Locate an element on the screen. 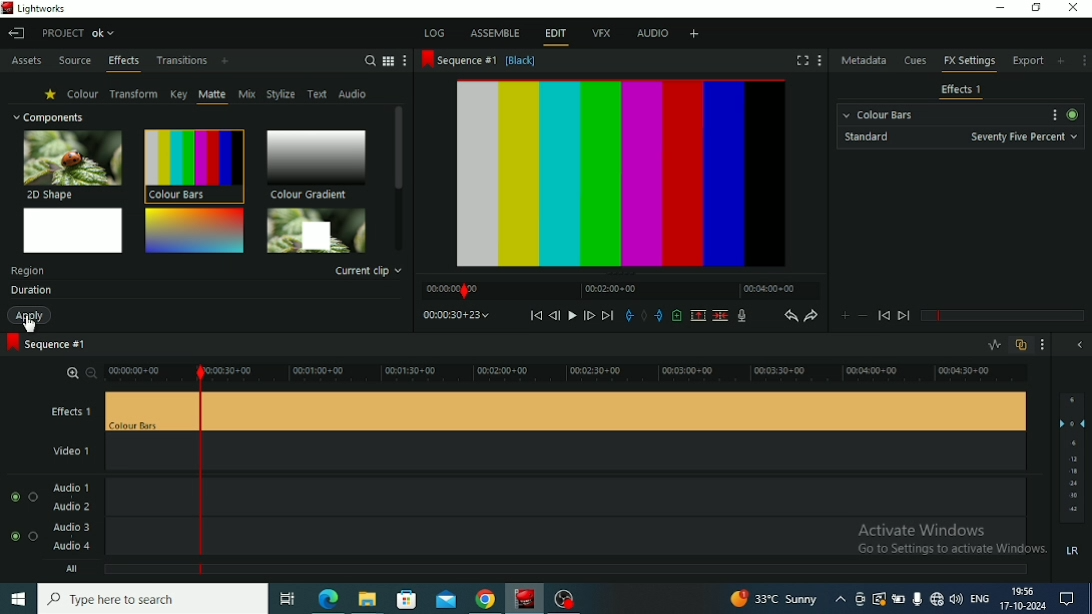 The width and height of the screenshot is (1092, 614). Lightwork is located at coordinates (526, 598).